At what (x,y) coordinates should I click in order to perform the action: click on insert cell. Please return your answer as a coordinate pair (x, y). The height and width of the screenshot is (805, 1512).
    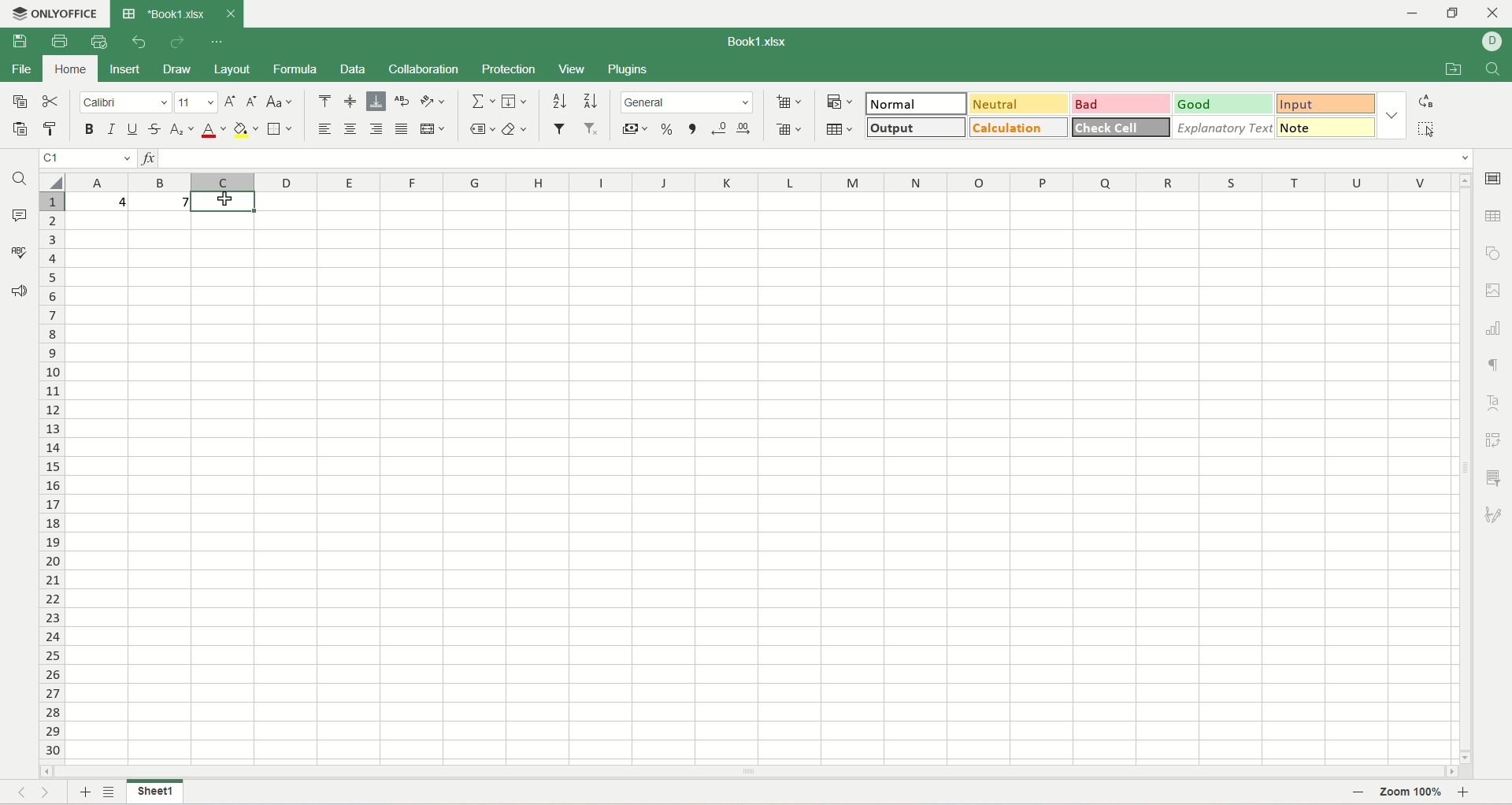
    Looking at the image, I should click on (791, 99).